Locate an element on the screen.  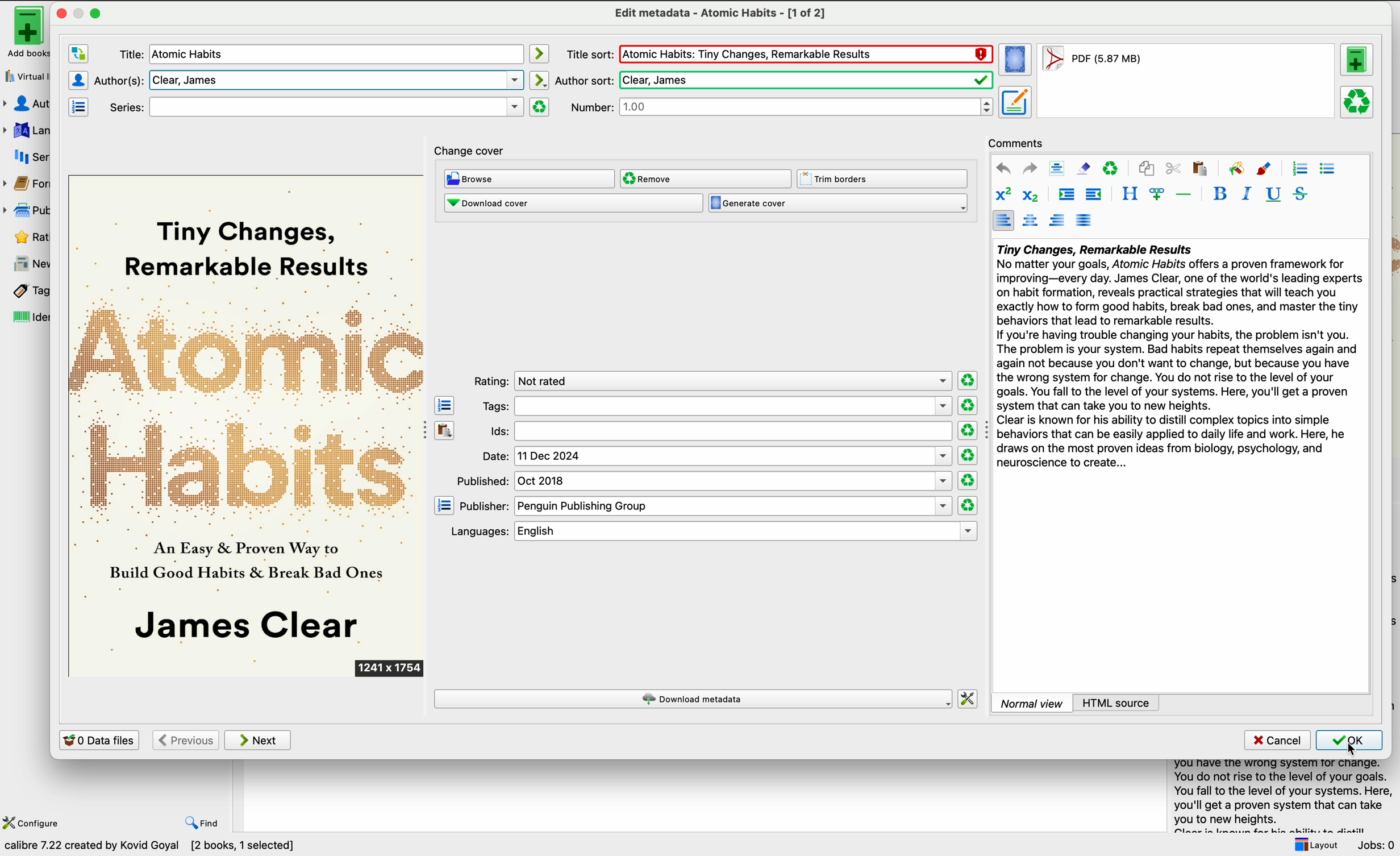
foreground color is located at coordinates (1265, 168).